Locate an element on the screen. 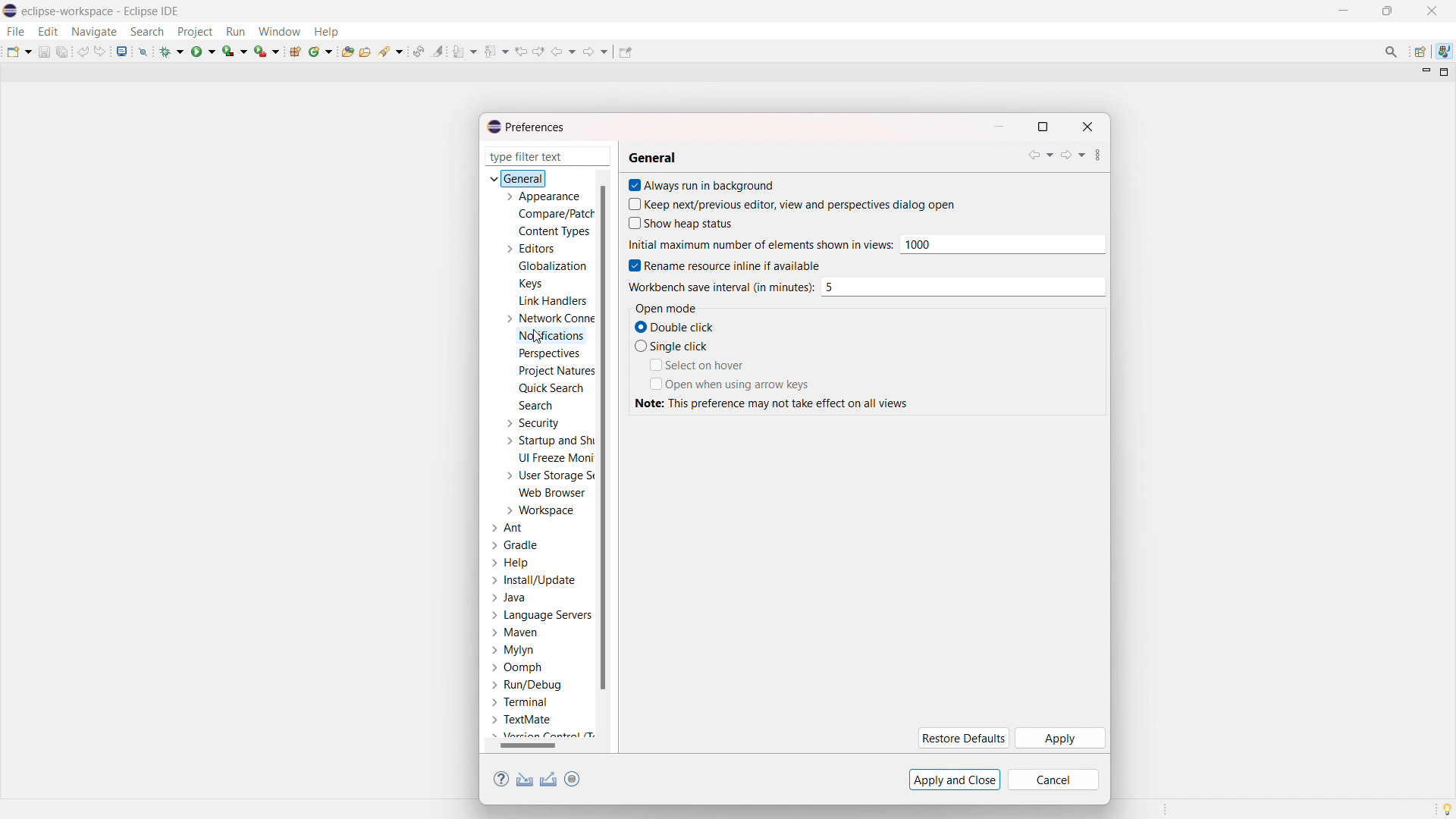 This screenshot has width=1456, height=819. save all is located at coordinates (64, 51).